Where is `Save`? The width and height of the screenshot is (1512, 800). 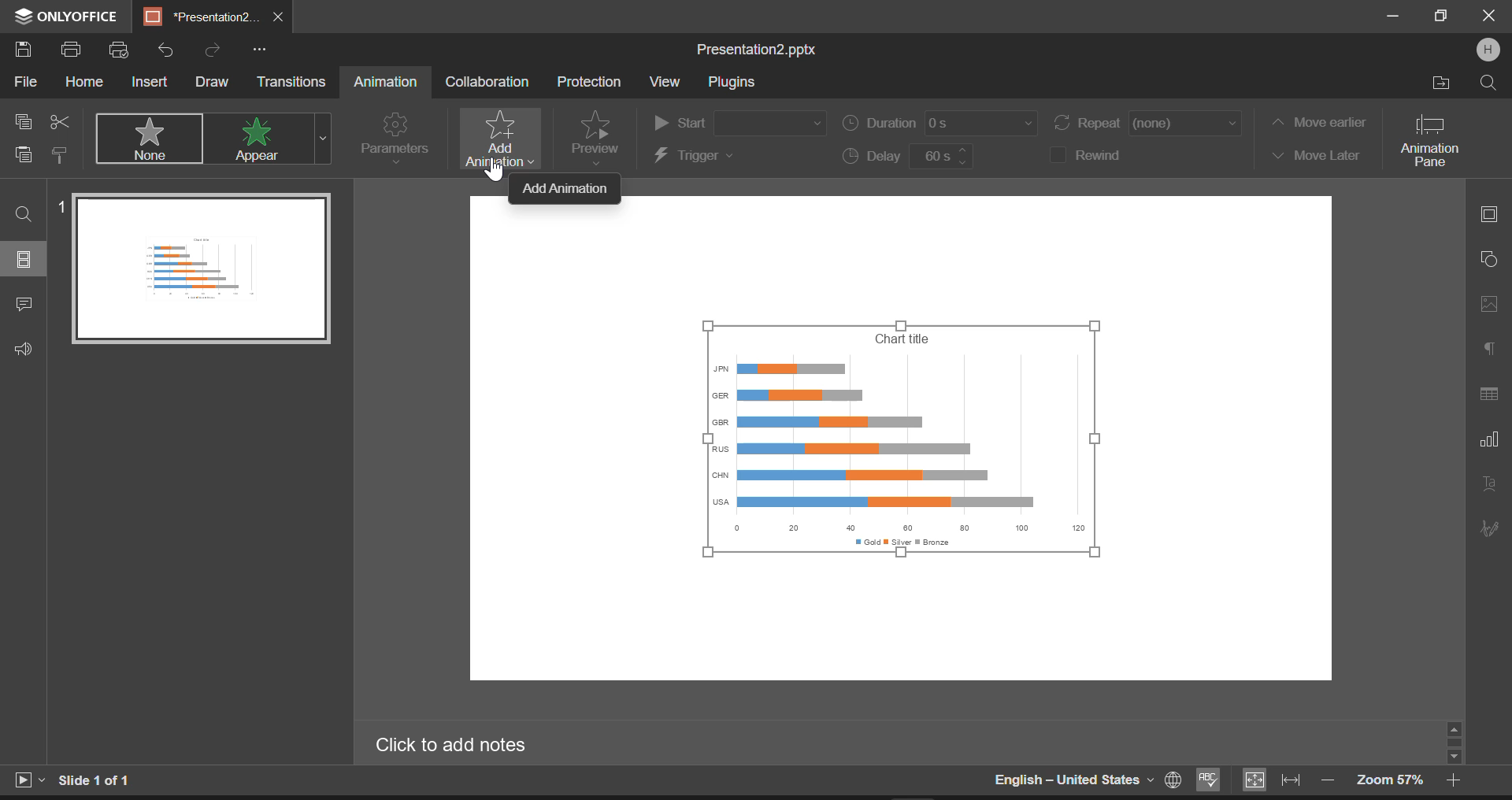 Save is located at coordinates (27, 50).